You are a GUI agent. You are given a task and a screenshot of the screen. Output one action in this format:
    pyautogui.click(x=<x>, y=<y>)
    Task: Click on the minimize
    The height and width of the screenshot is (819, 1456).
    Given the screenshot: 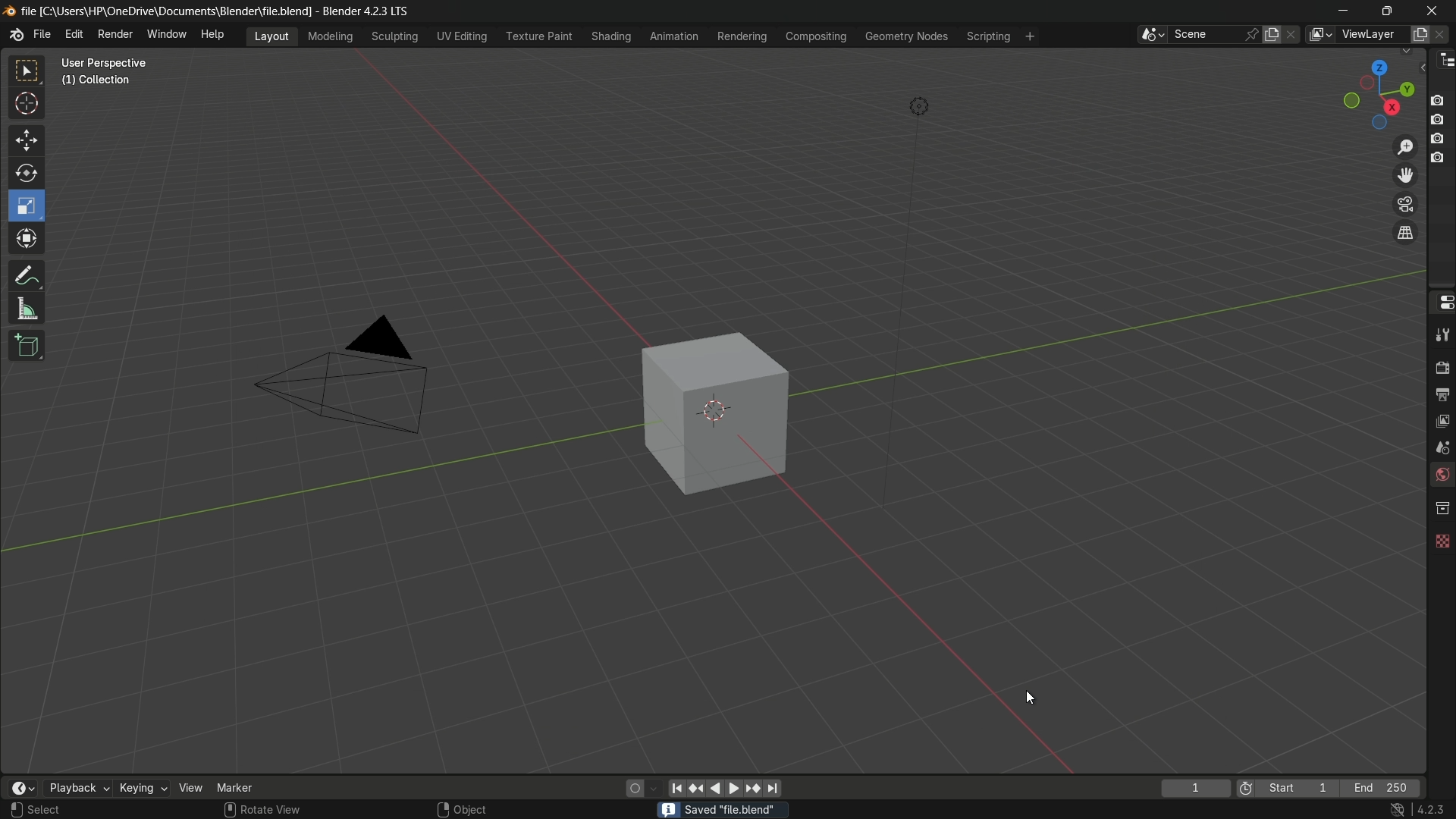 What is the action you would take?
    pyautogui.click(x=1344, y=11)
    